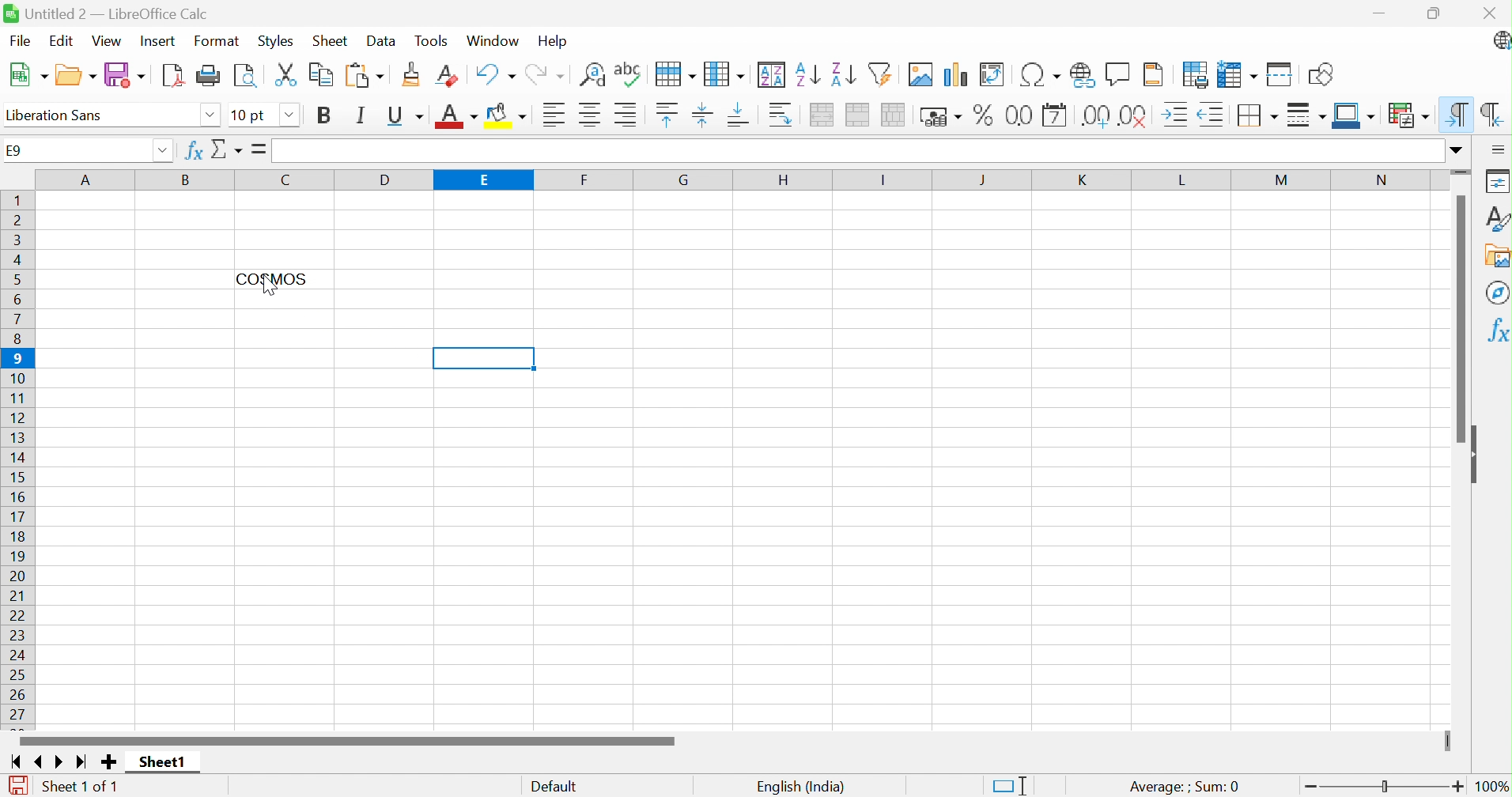 The width and height of the screenshot is (1512, 797). I want to click on Selected Cell, so click(484, 359).